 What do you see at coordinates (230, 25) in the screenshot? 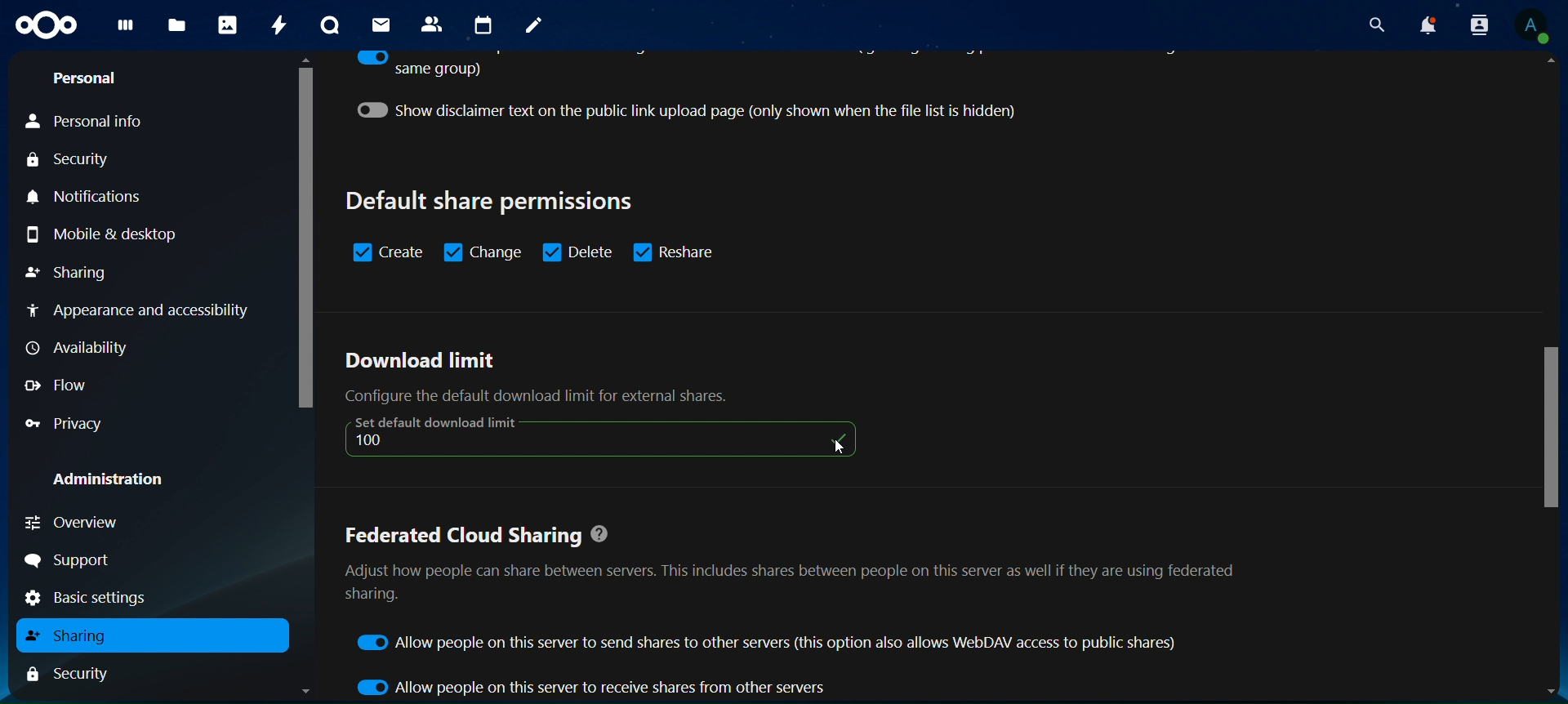
I see `photos` at bounding box center [230, 25].